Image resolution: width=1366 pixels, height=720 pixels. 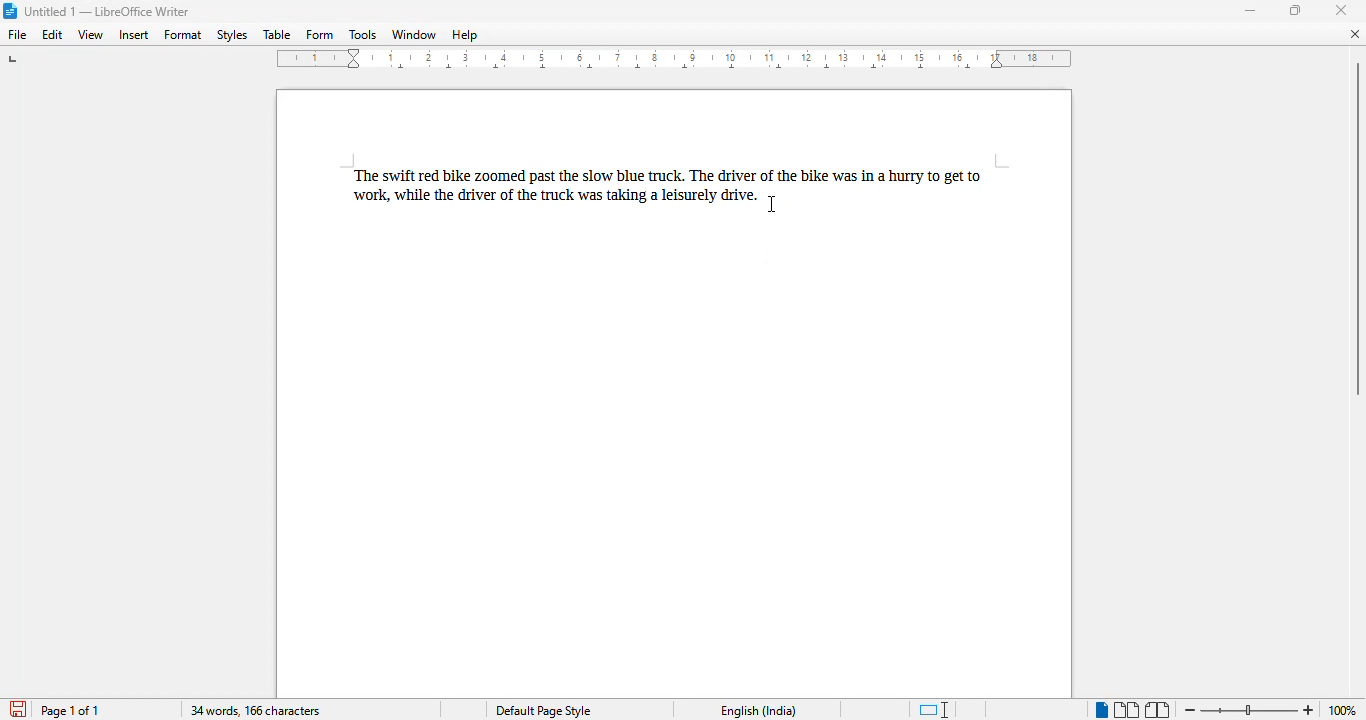 What do you see at coordinates (18, 709) in the screenshot?
I see `click to save document` at bounding box center [18, 709].